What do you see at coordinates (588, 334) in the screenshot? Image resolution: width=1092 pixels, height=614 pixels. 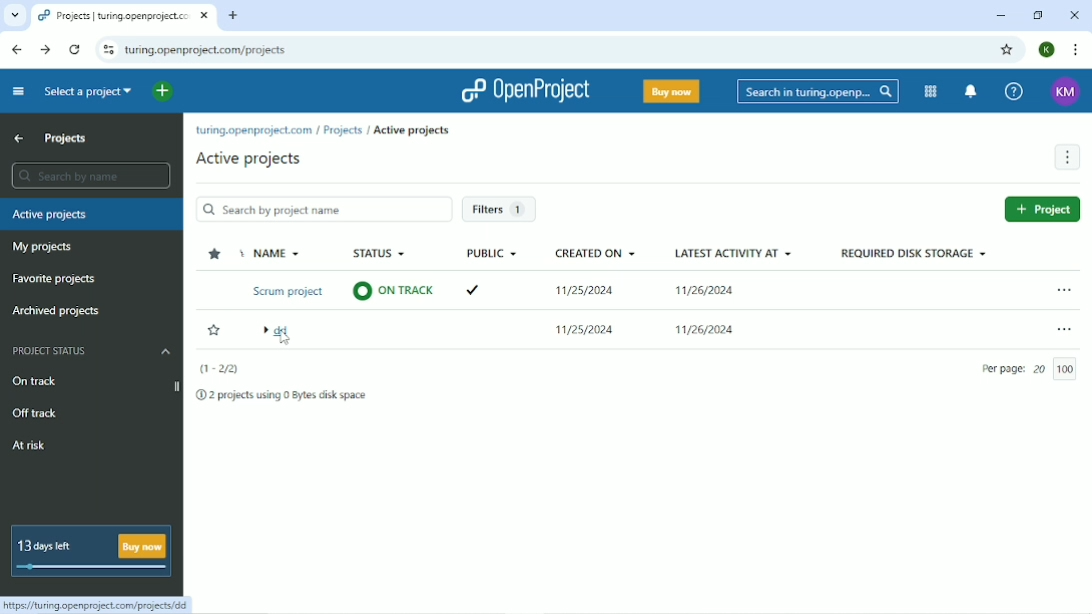 I see `11/25/2024` at bounding box center [588, 334].